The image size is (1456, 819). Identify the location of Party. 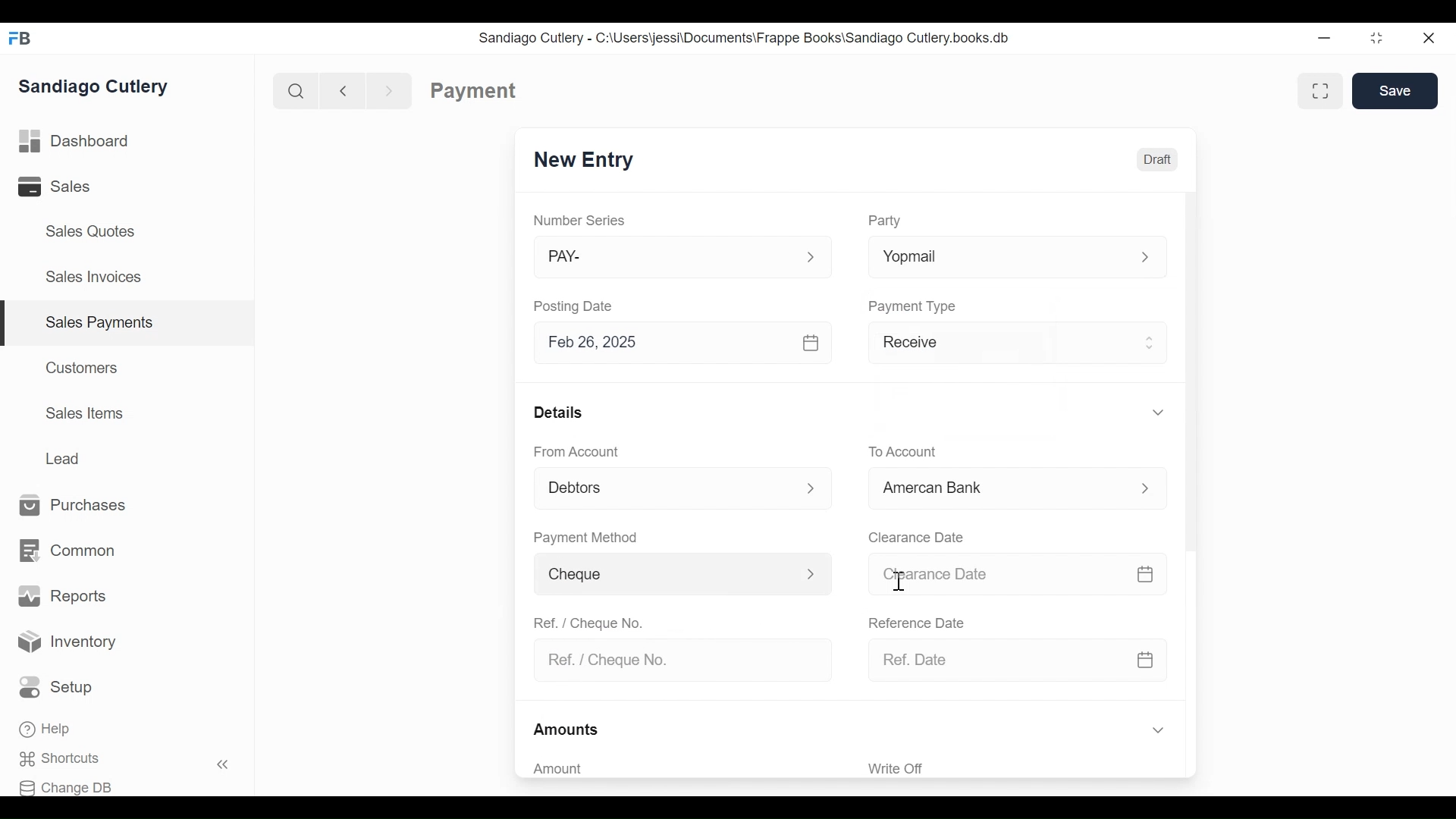
(884, 221).